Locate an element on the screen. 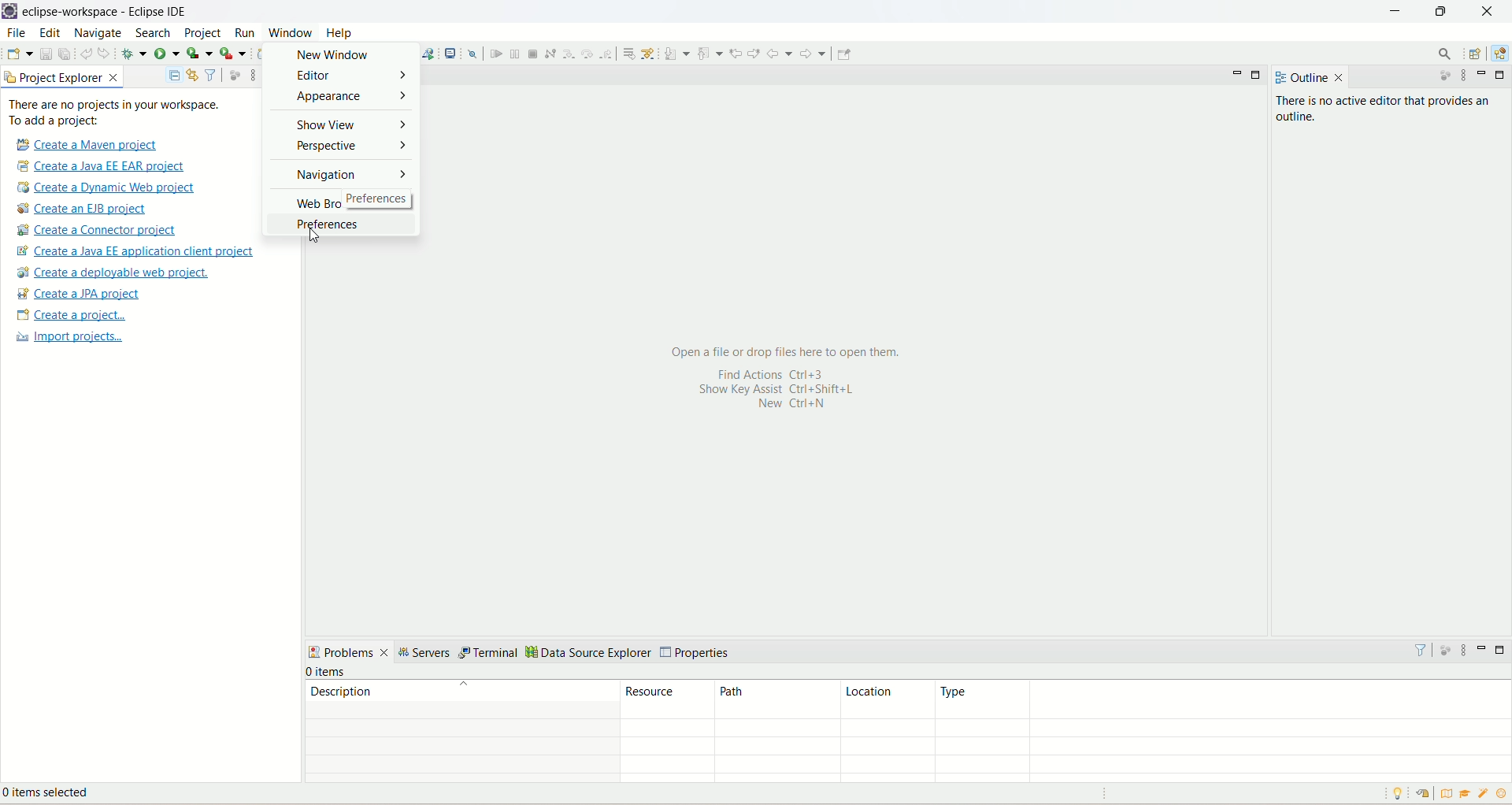 This screenshot has height=805, width=1512. previous annotation is located at coordinates (710, 53).